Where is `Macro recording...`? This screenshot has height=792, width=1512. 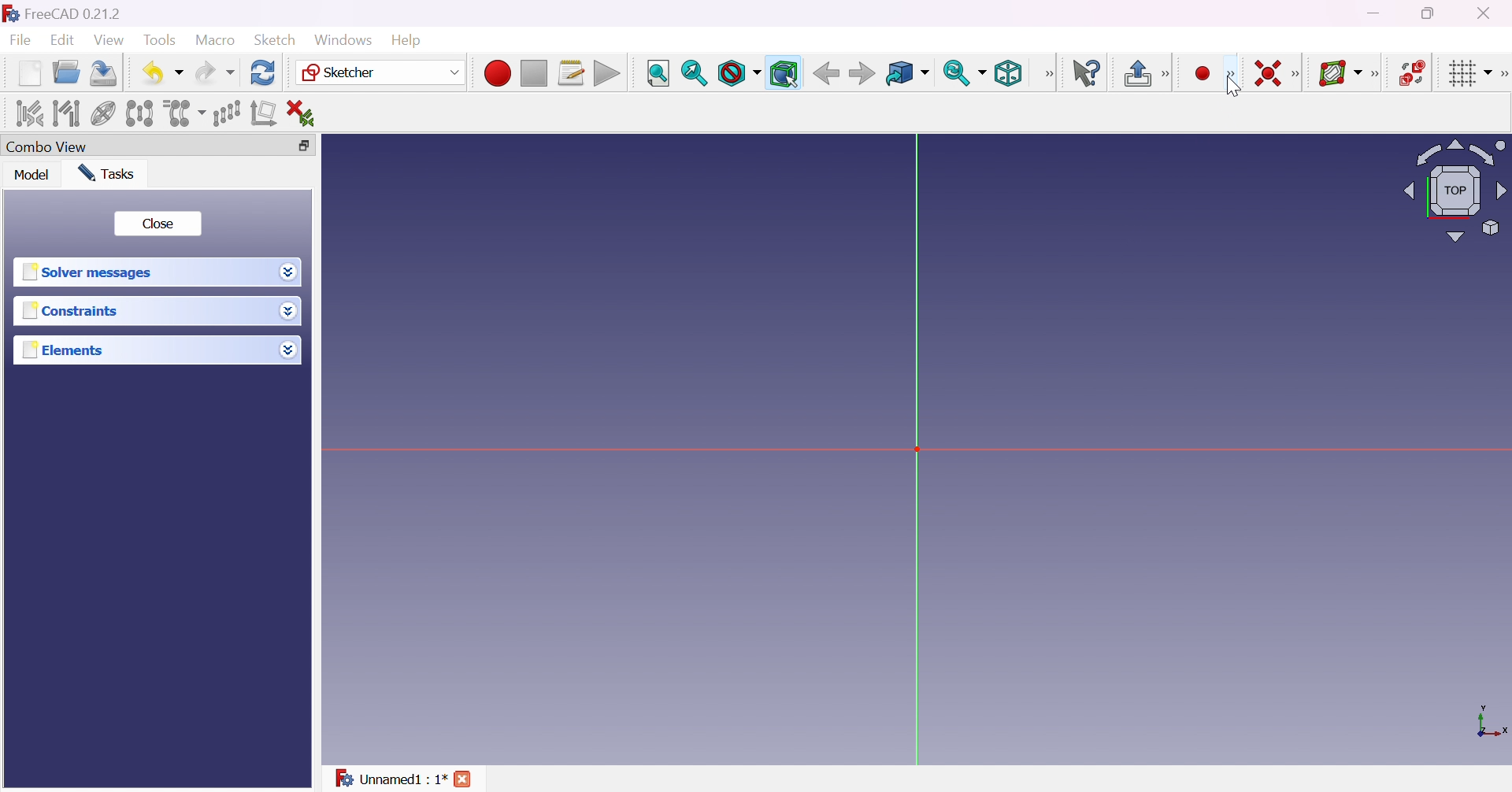 Macro recording... is located at coordinates (497, 71).